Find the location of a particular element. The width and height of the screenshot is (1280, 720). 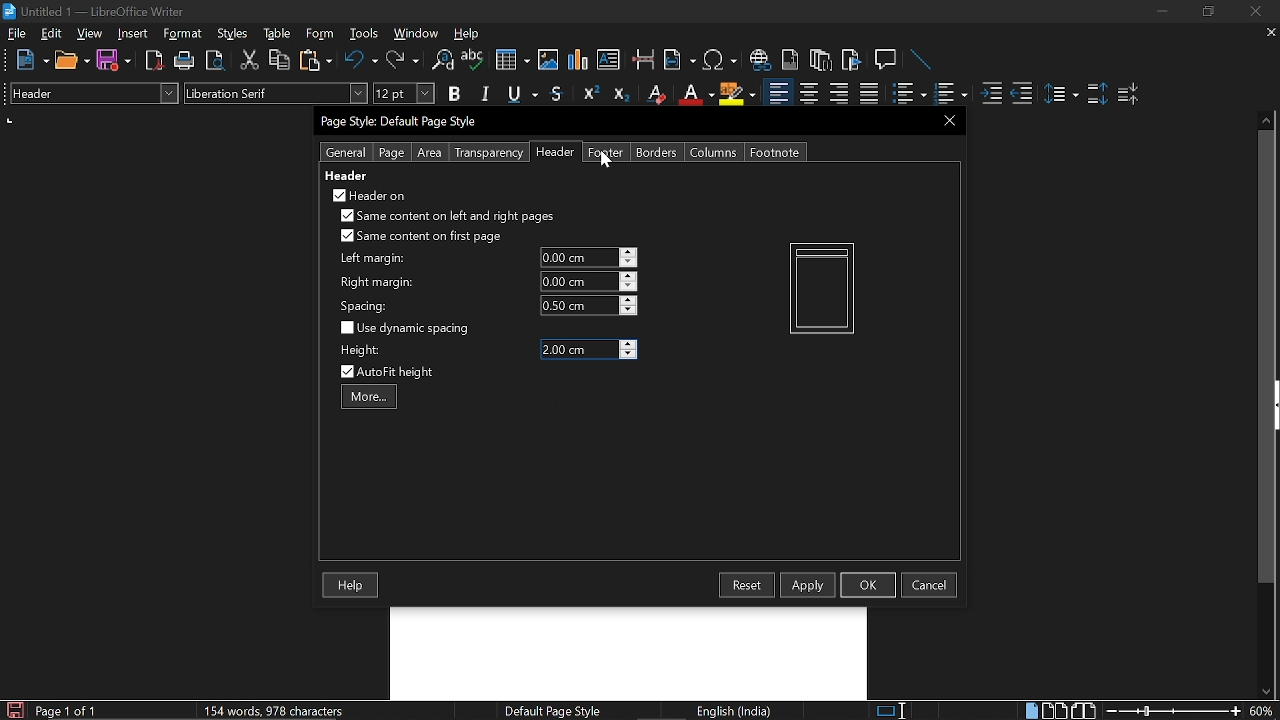

Paragraph style is located at coordinates (91, 93).